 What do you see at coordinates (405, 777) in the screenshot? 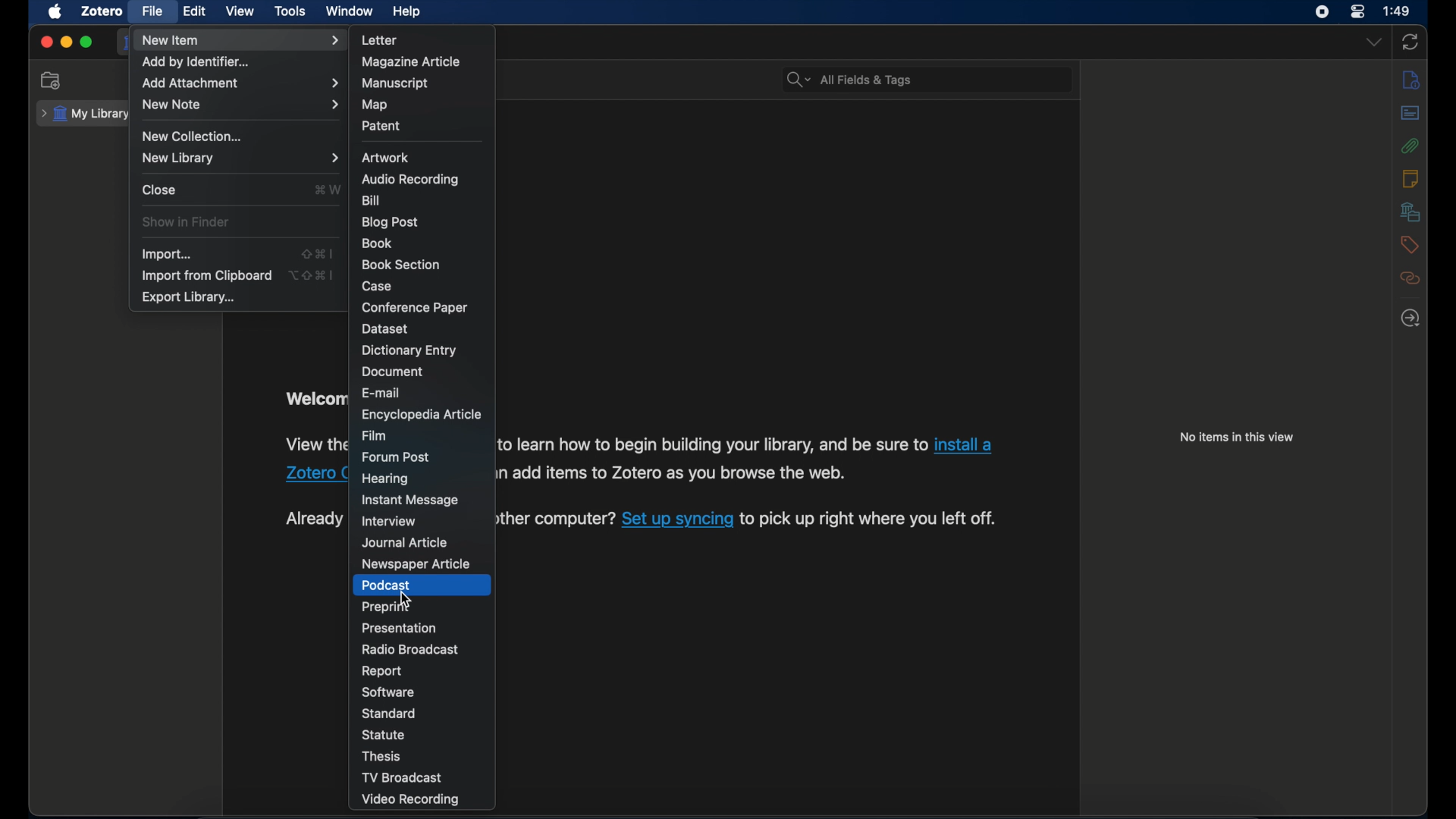
I see `tv broadcast` at bounding box center [405, 777].